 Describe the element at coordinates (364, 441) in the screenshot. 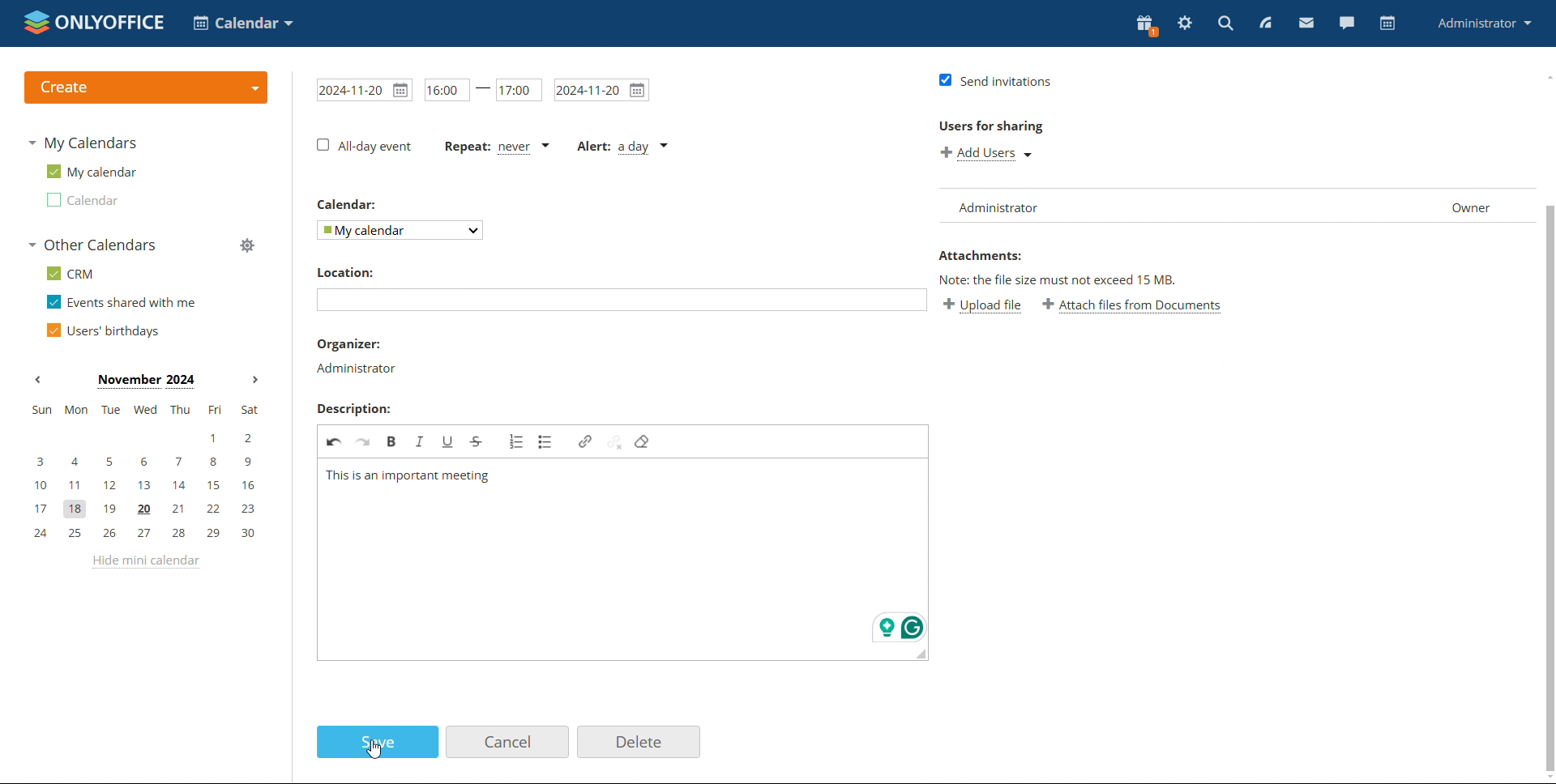

I see `redo` at that location.